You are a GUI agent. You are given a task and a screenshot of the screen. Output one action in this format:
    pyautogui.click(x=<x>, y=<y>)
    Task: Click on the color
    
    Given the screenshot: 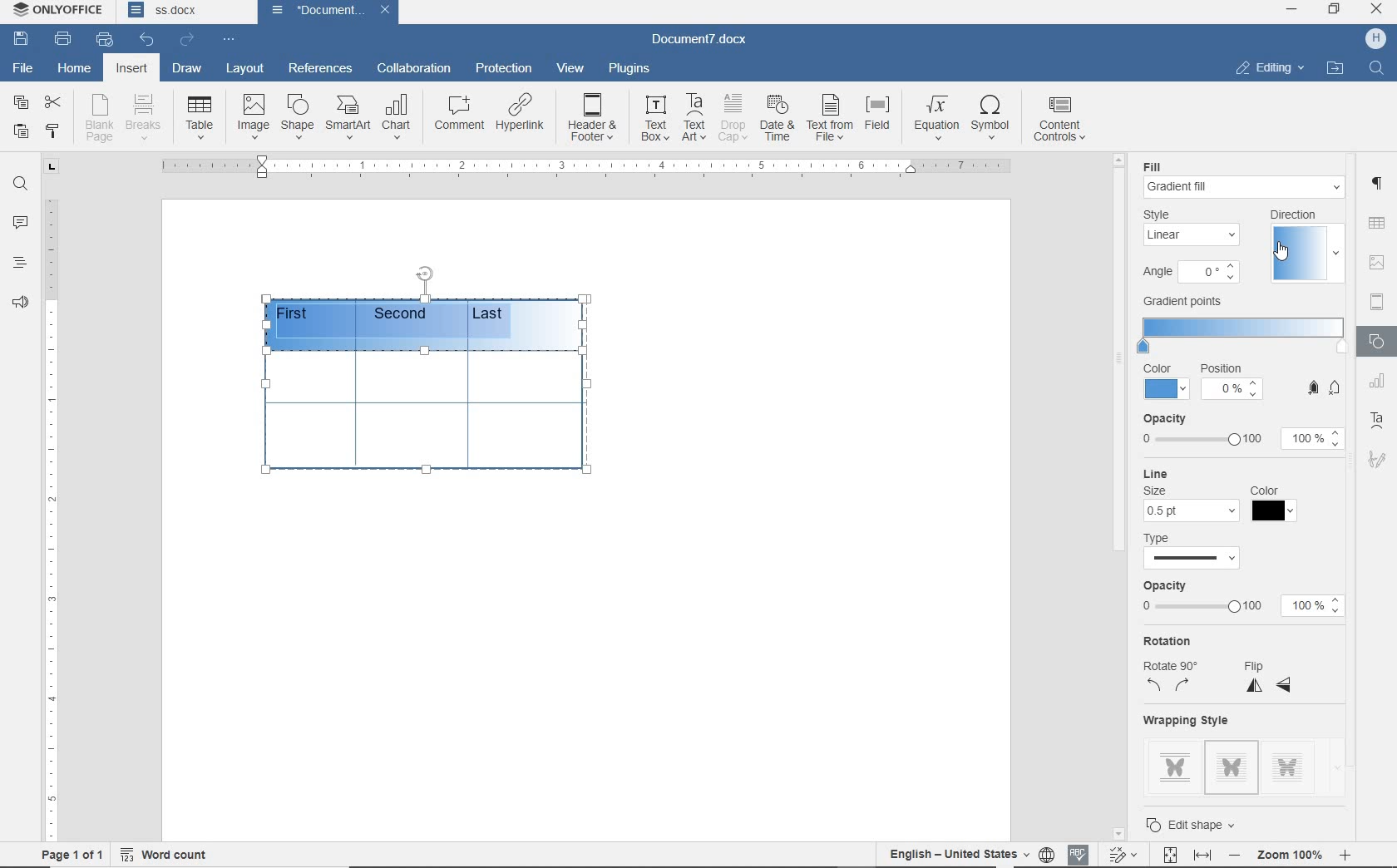 What is the action you would take?
    pyautogui.click(x=1163, y=389)
    